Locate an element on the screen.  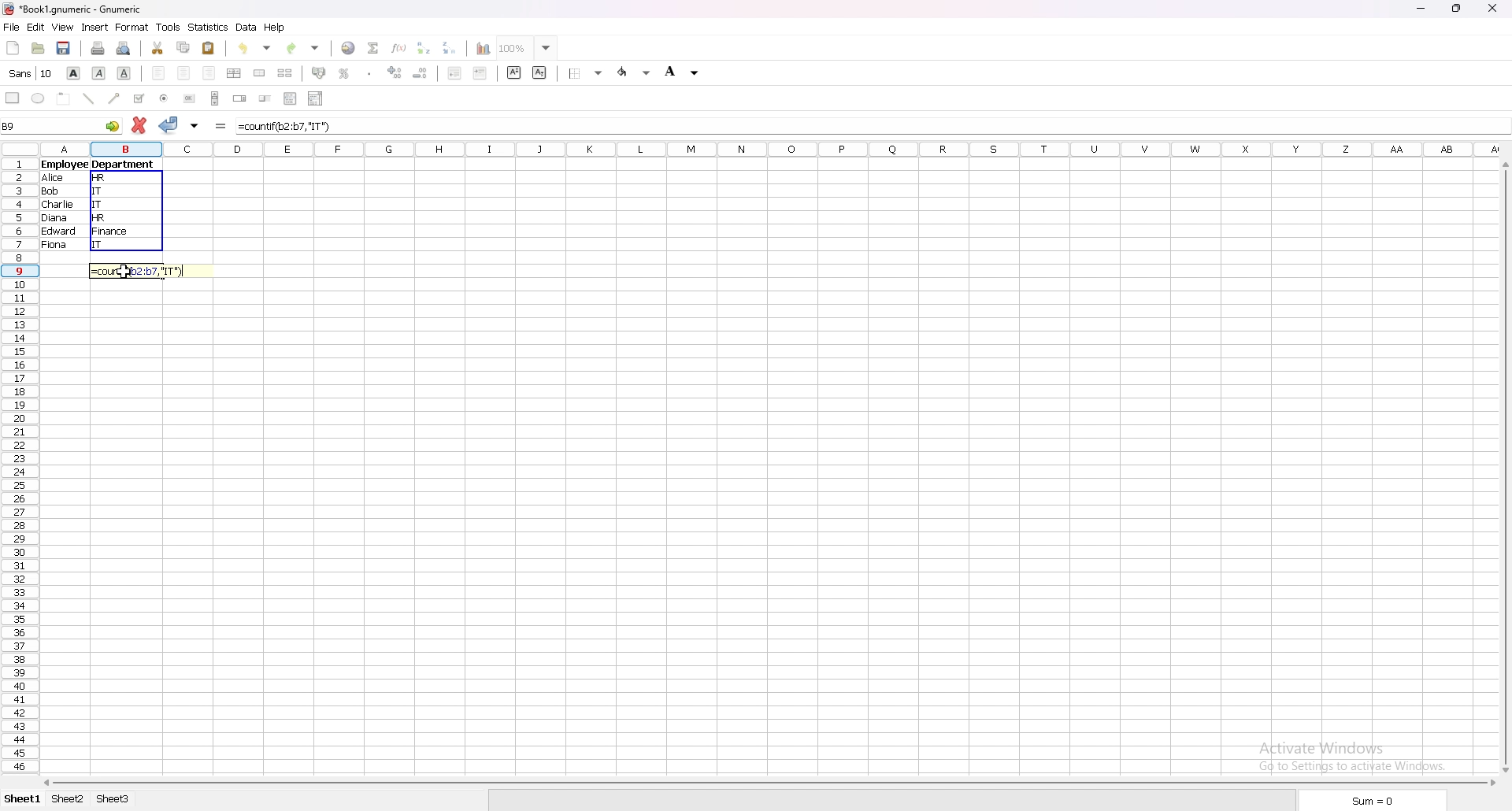
sort descending is located at coordinates (450, 48).